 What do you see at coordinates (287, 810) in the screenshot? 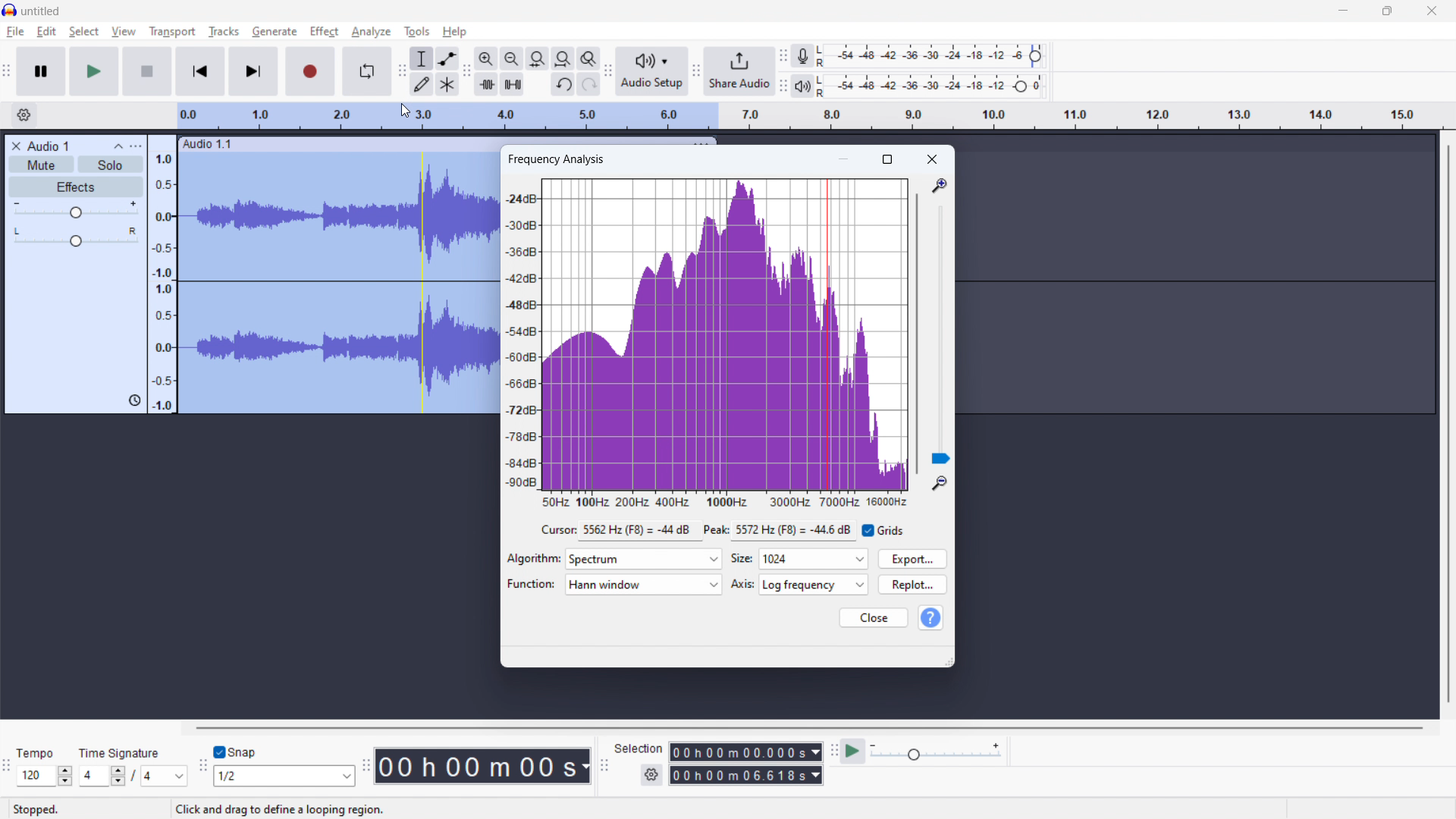
I see `Click and drag to select audio` at bounding box center [287, 810].